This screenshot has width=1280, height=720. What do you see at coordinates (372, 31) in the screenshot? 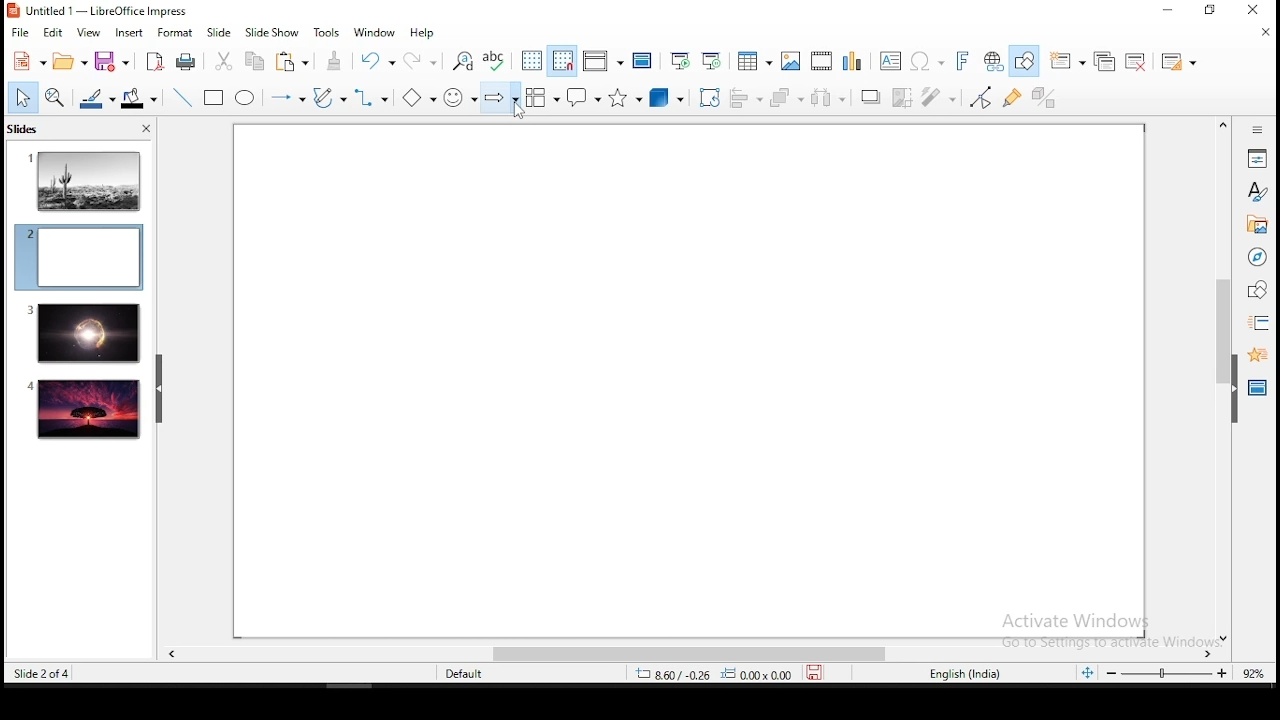
I see `window` at bounding box center [372, 31].